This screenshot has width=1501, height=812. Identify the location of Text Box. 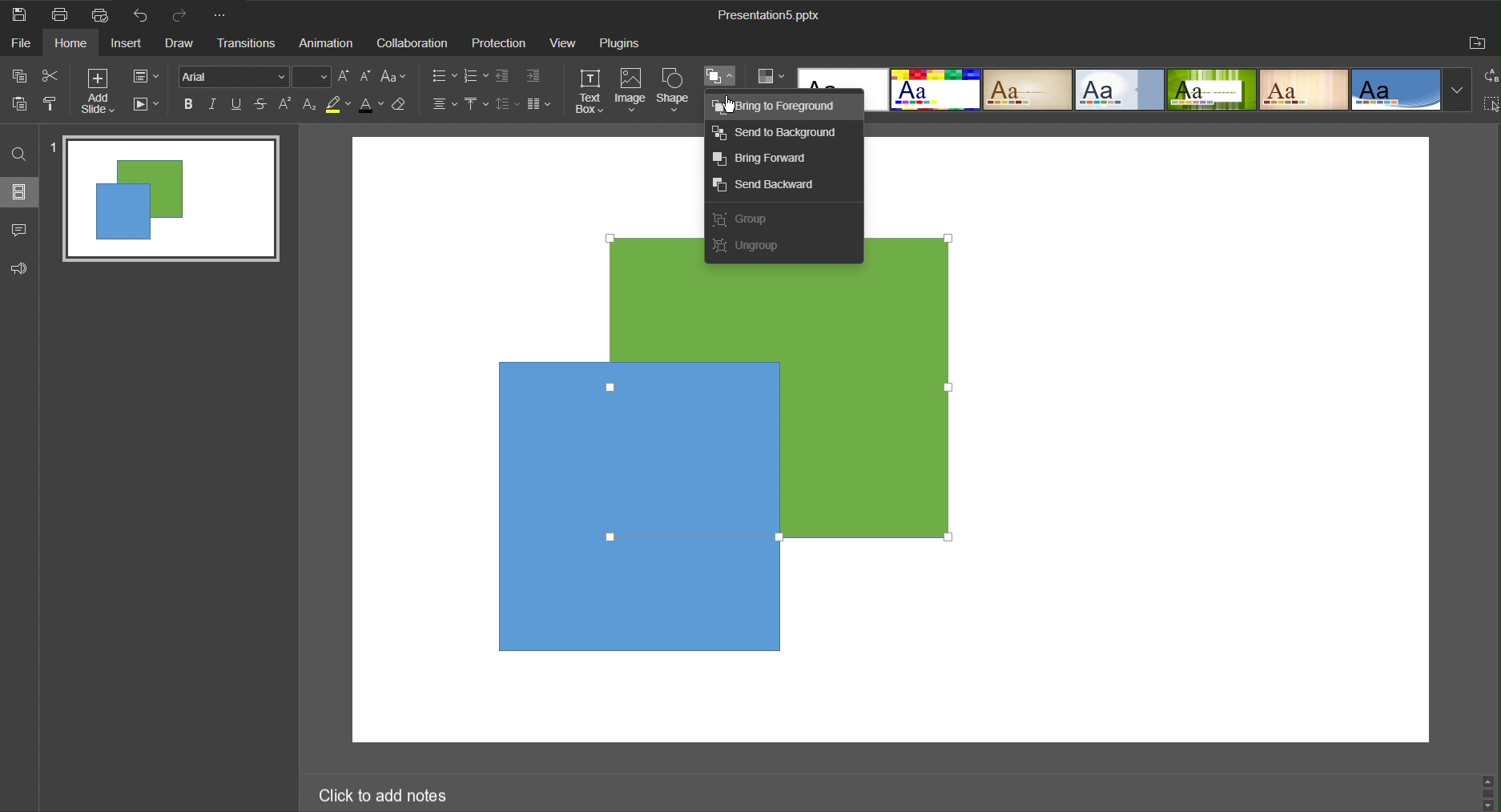
(586, 90).